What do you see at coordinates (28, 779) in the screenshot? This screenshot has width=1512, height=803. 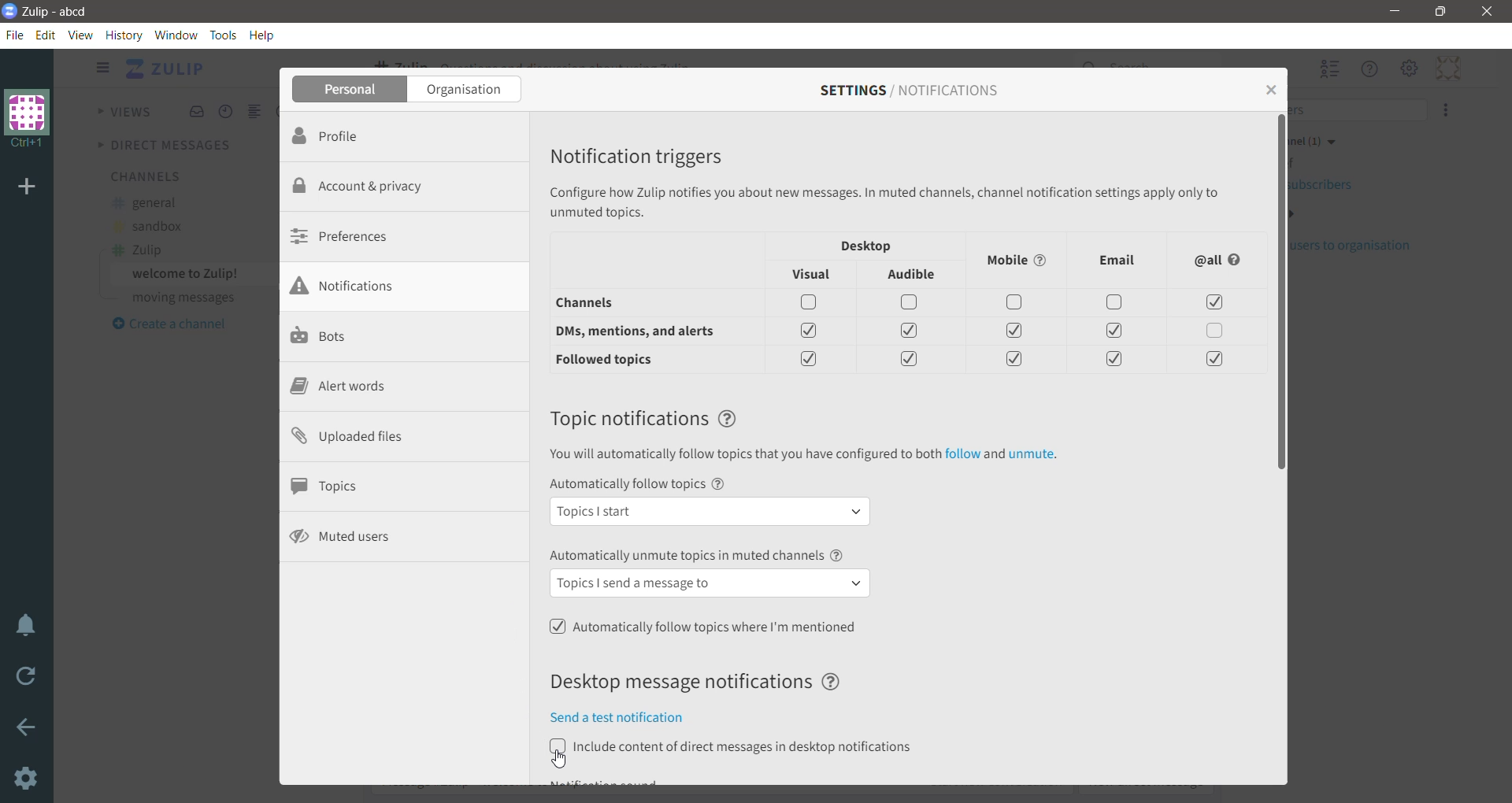 I see `Settings` at bounding box center [28, 779].